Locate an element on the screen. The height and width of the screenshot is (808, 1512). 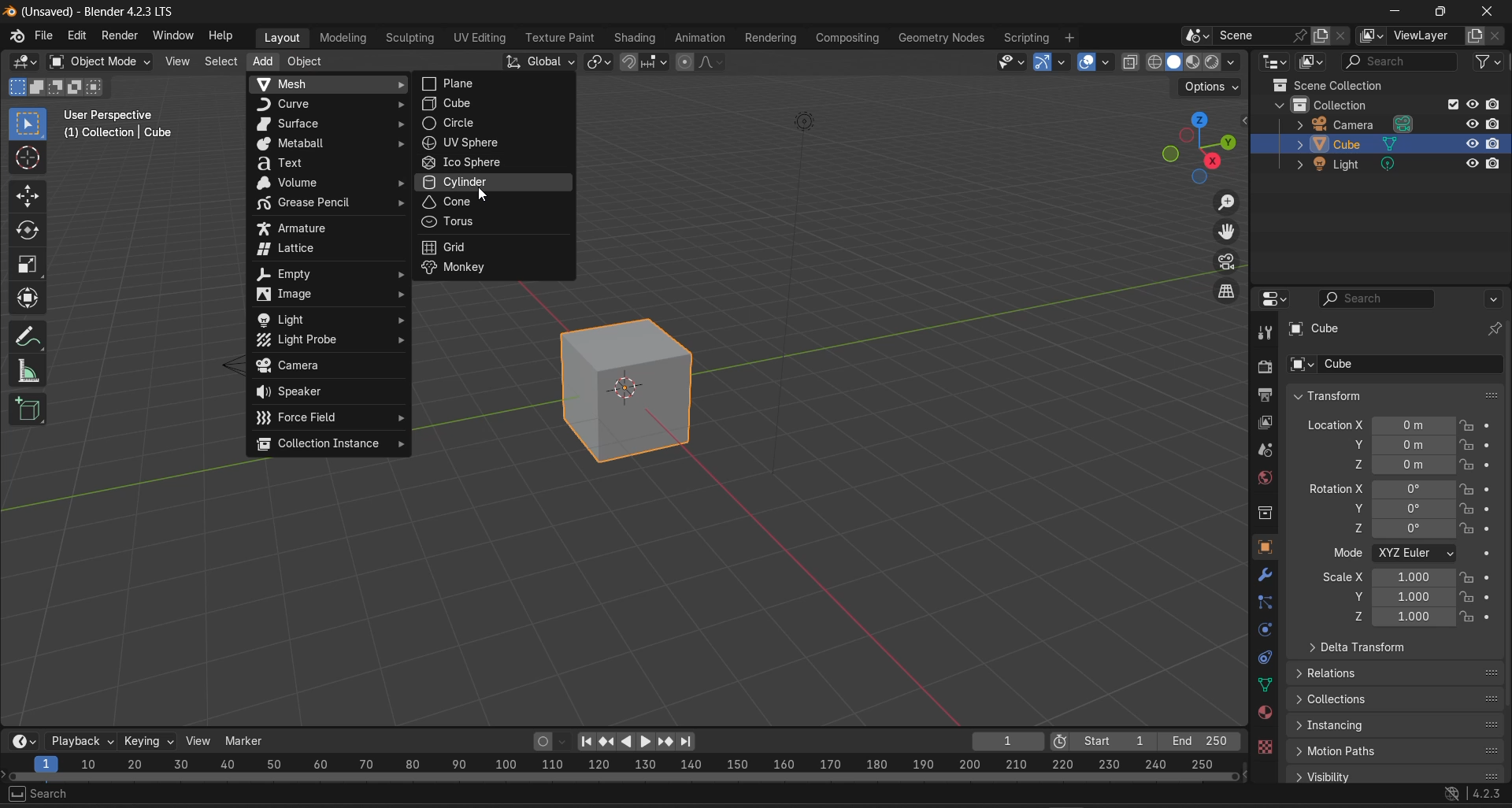
lock location is located at coordinates (1466, 463).